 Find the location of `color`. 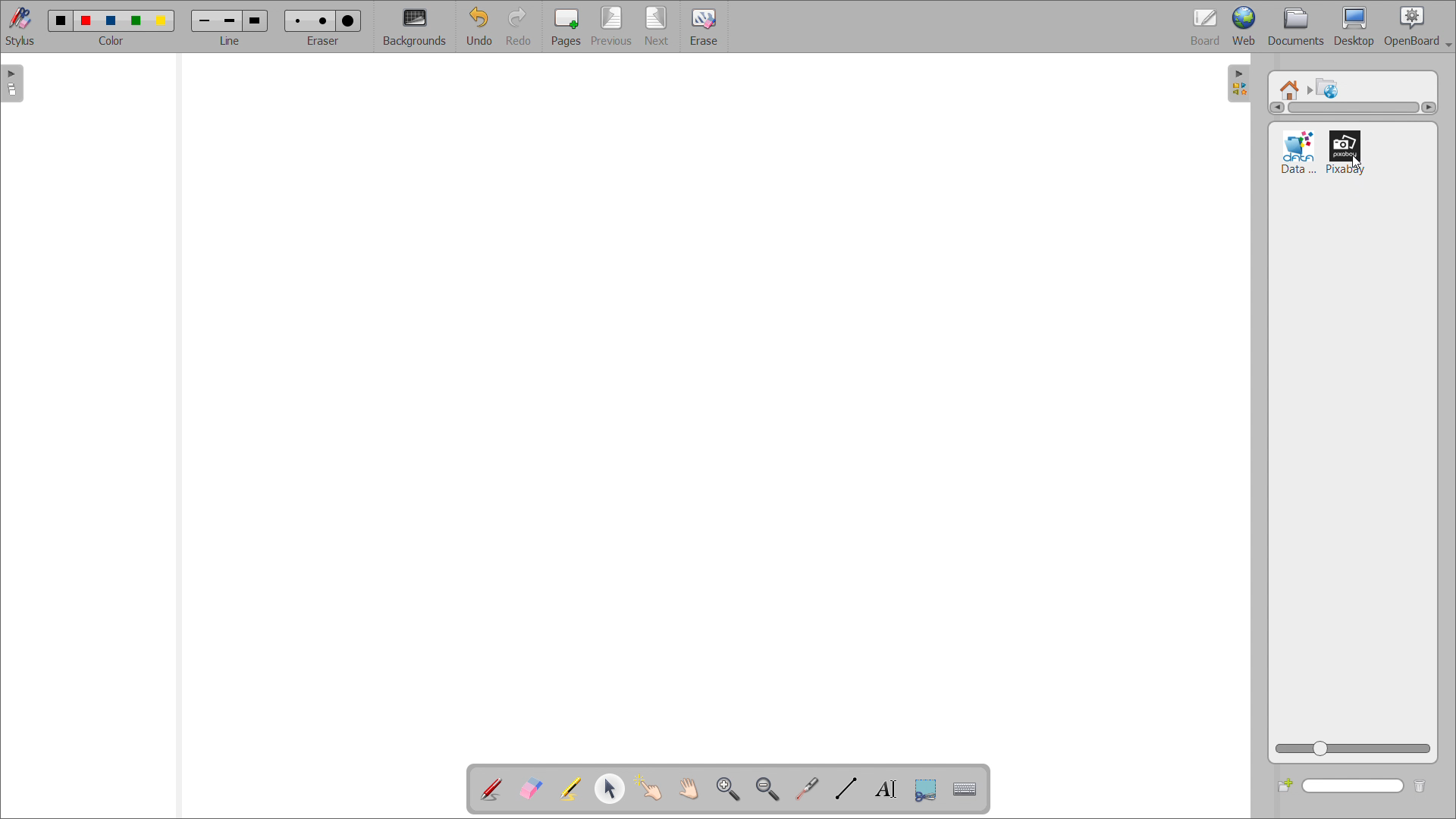

color is located at coordinates (112, 41).